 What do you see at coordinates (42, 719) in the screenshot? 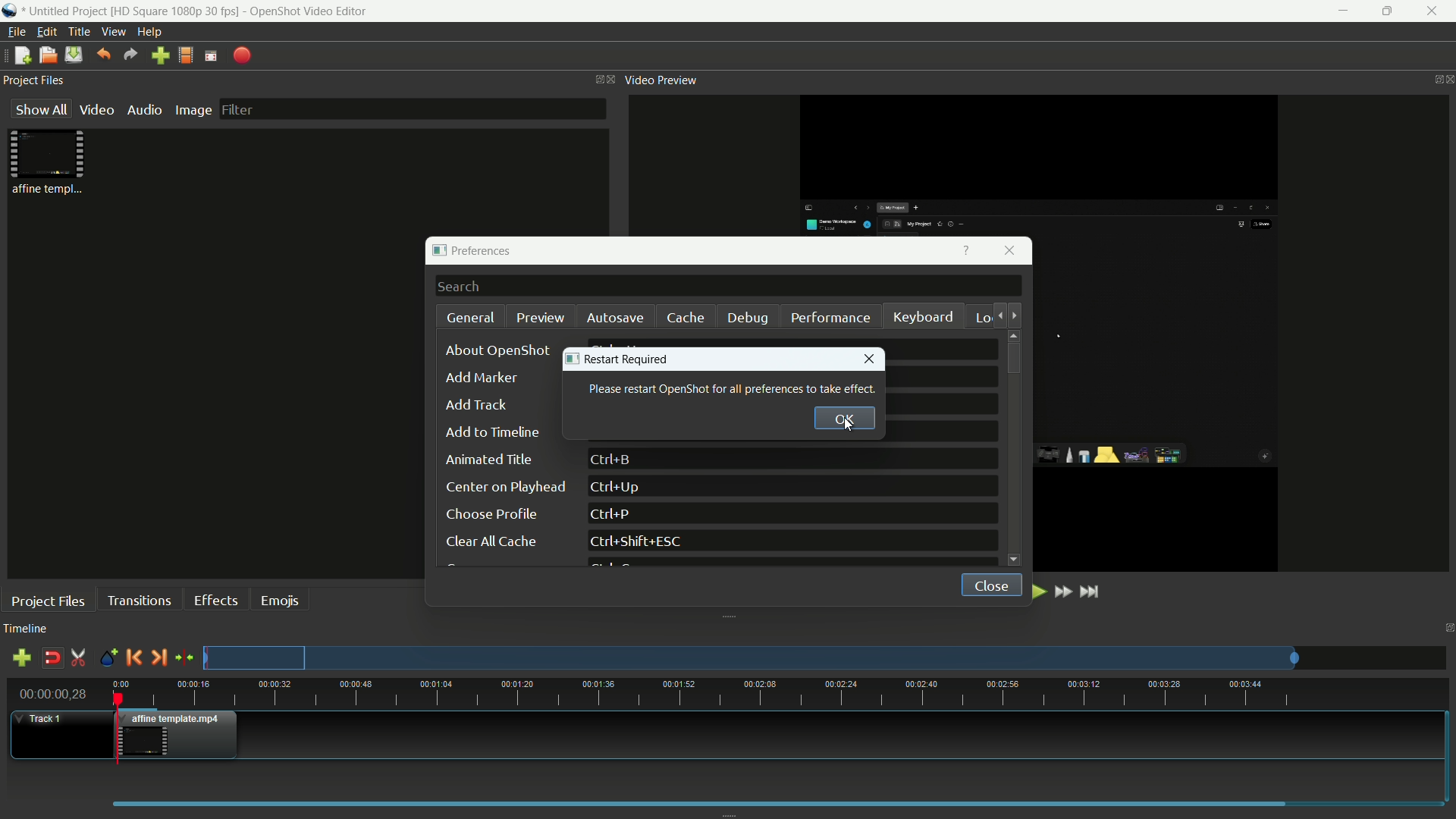
I see `track 1` at bounding box center [42, 719].